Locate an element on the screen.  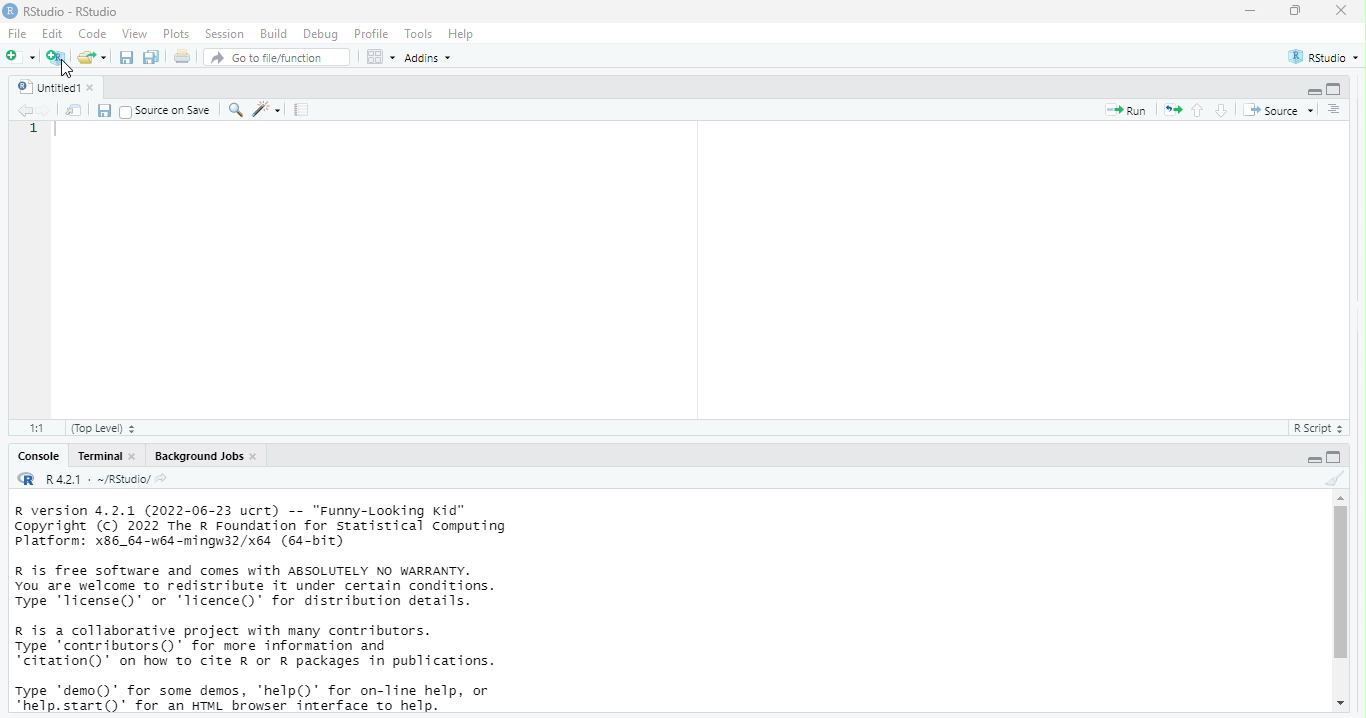
(Top level) is located at coordinates (108, 428).